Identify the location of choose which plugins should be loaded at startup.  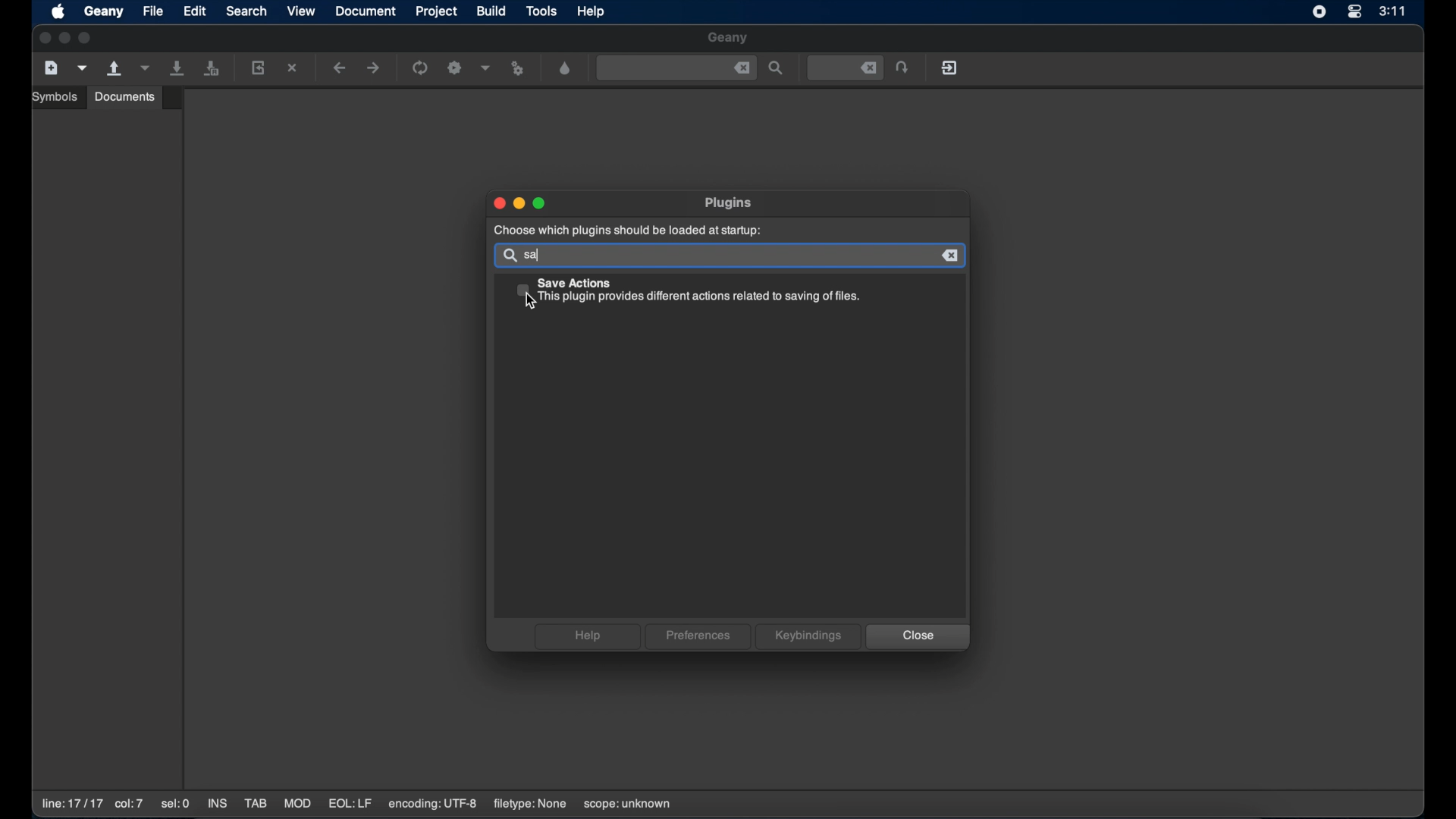
(626, 231).